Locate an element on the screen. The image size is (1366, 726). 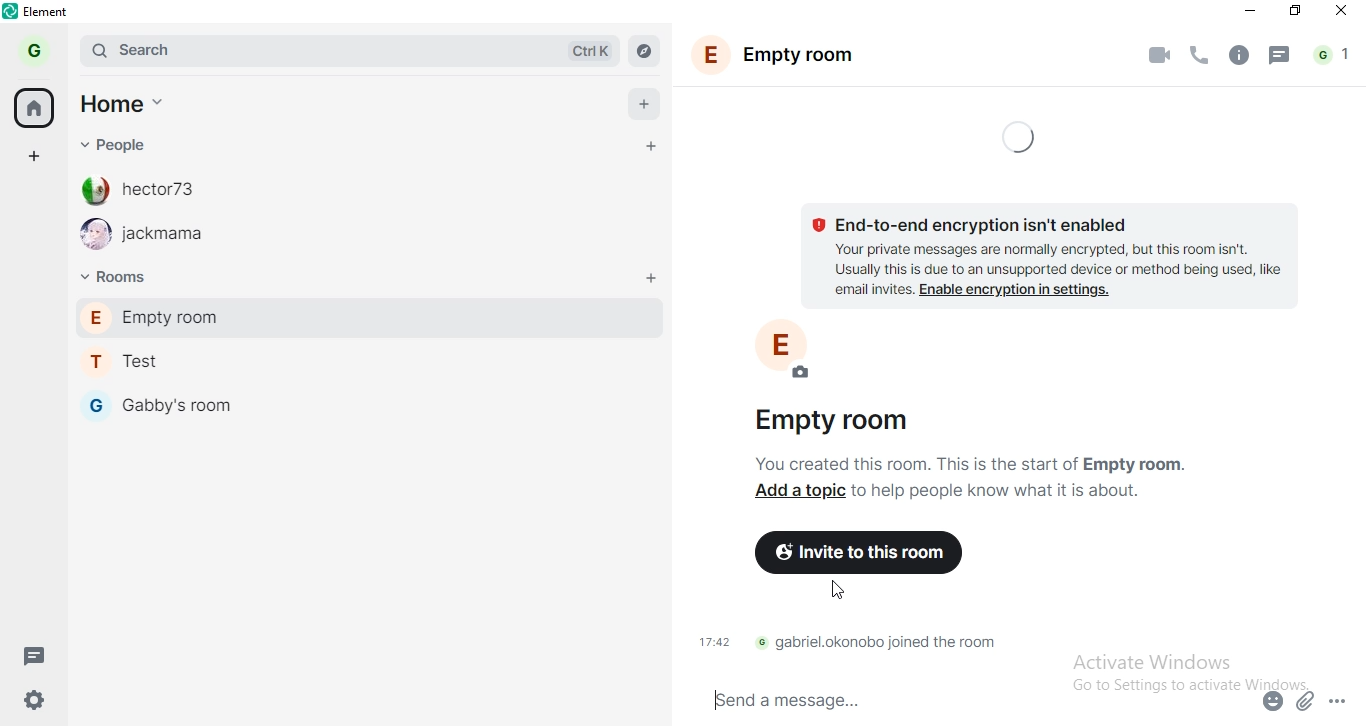
text 1 is located at coordinates (1042, 250).